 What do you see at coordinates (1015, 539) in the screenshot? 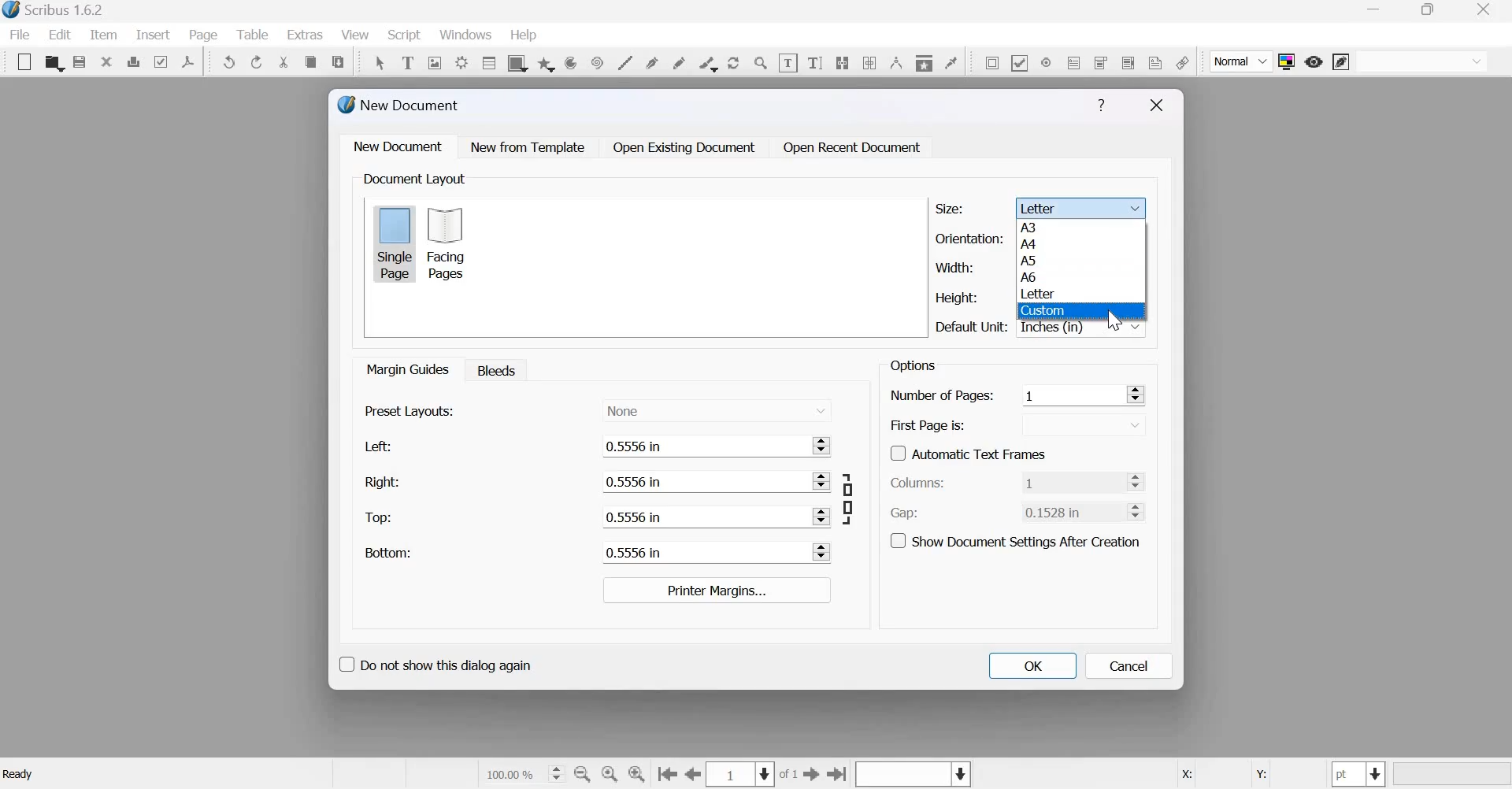
I see `Show document settings after creation` at bounding box center [1015, 539].